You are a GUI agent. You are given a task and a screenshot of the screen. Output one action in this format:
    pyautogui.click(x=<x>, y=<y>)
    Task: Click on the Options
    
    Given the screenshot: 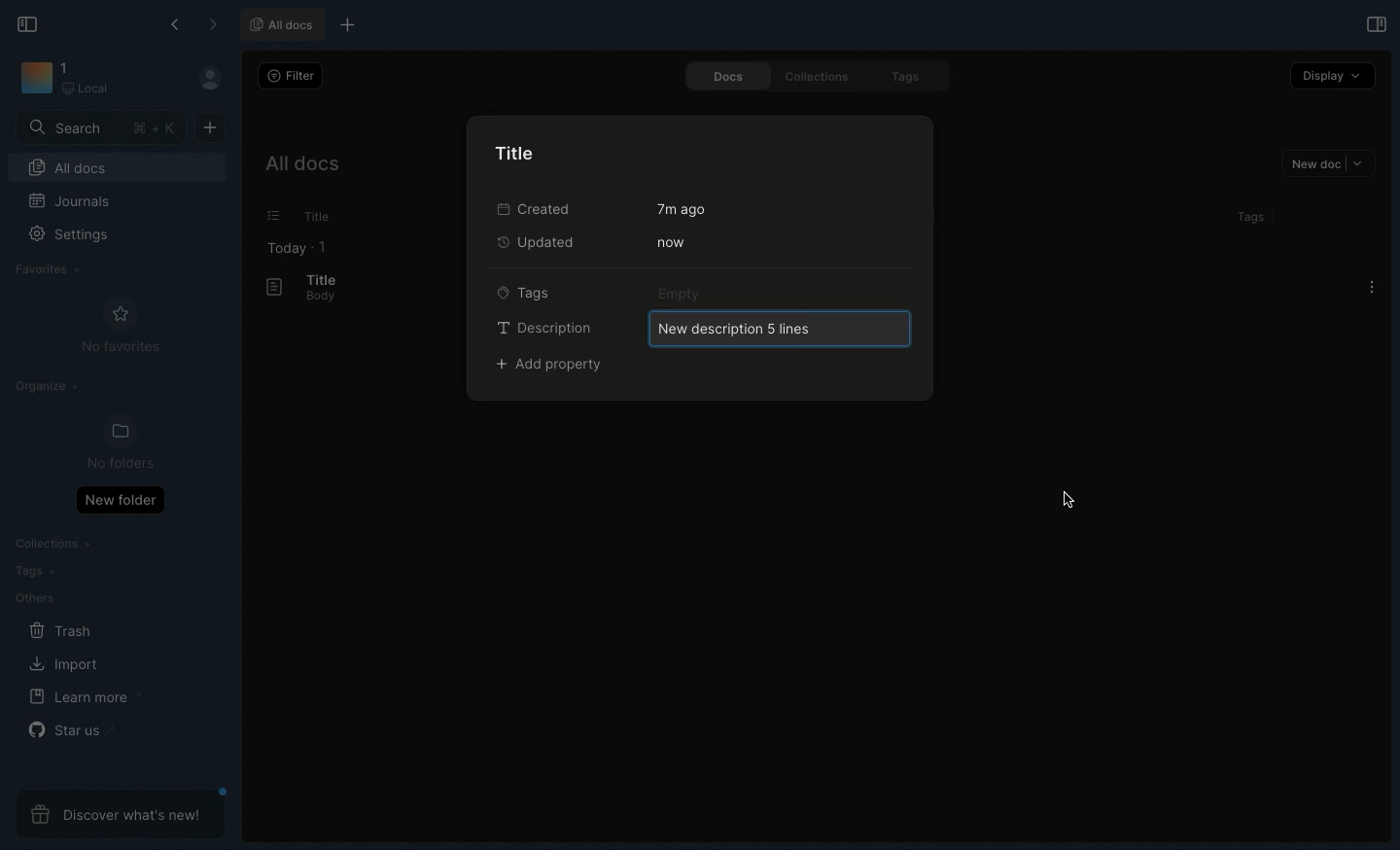 What is the action you would take?
    pyautogui.click(x=1372, y=287)
    